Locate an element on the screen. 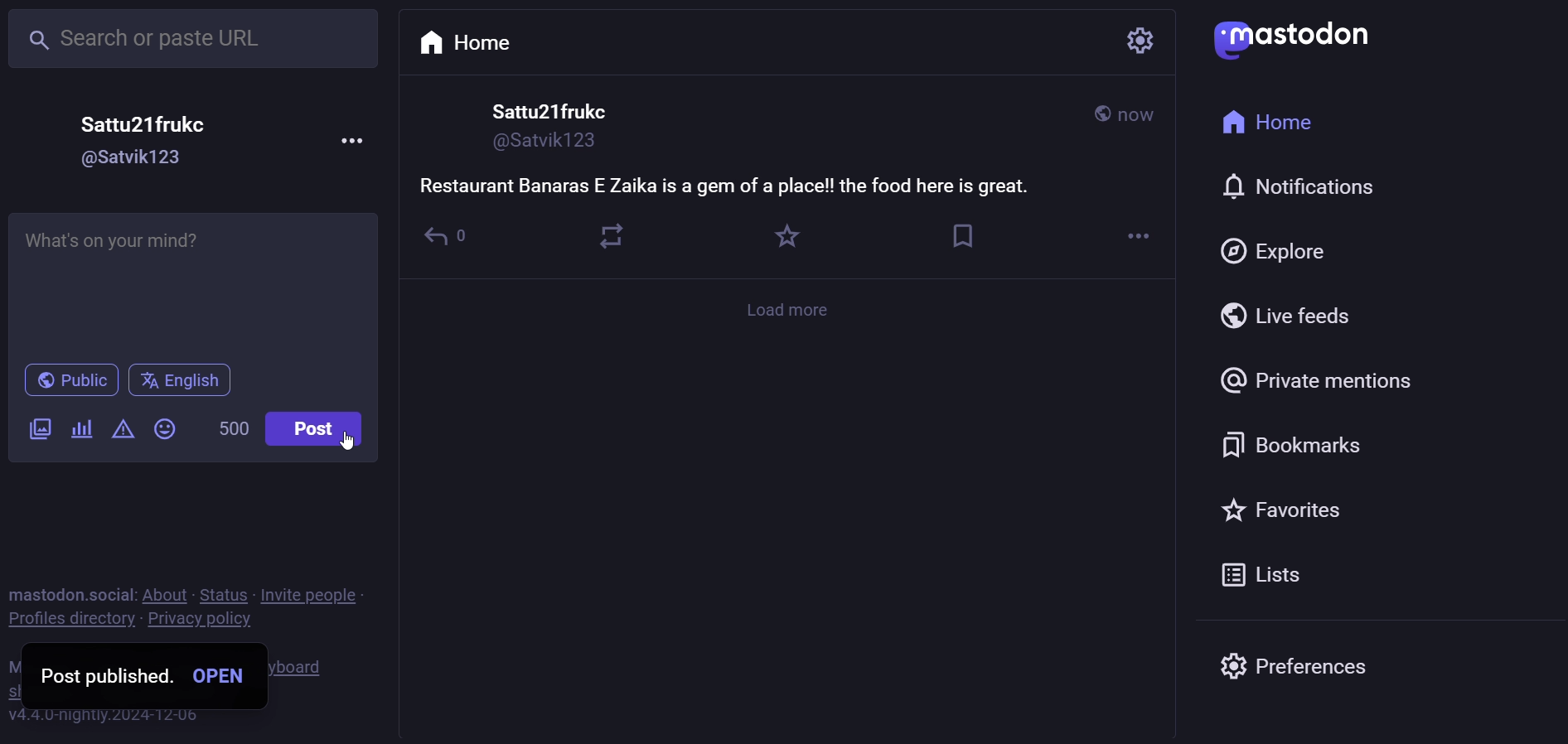 Image resolution: width=1568 pixels, height=744 pixels. Sattu21frukc is located at coordinates (549, 111).